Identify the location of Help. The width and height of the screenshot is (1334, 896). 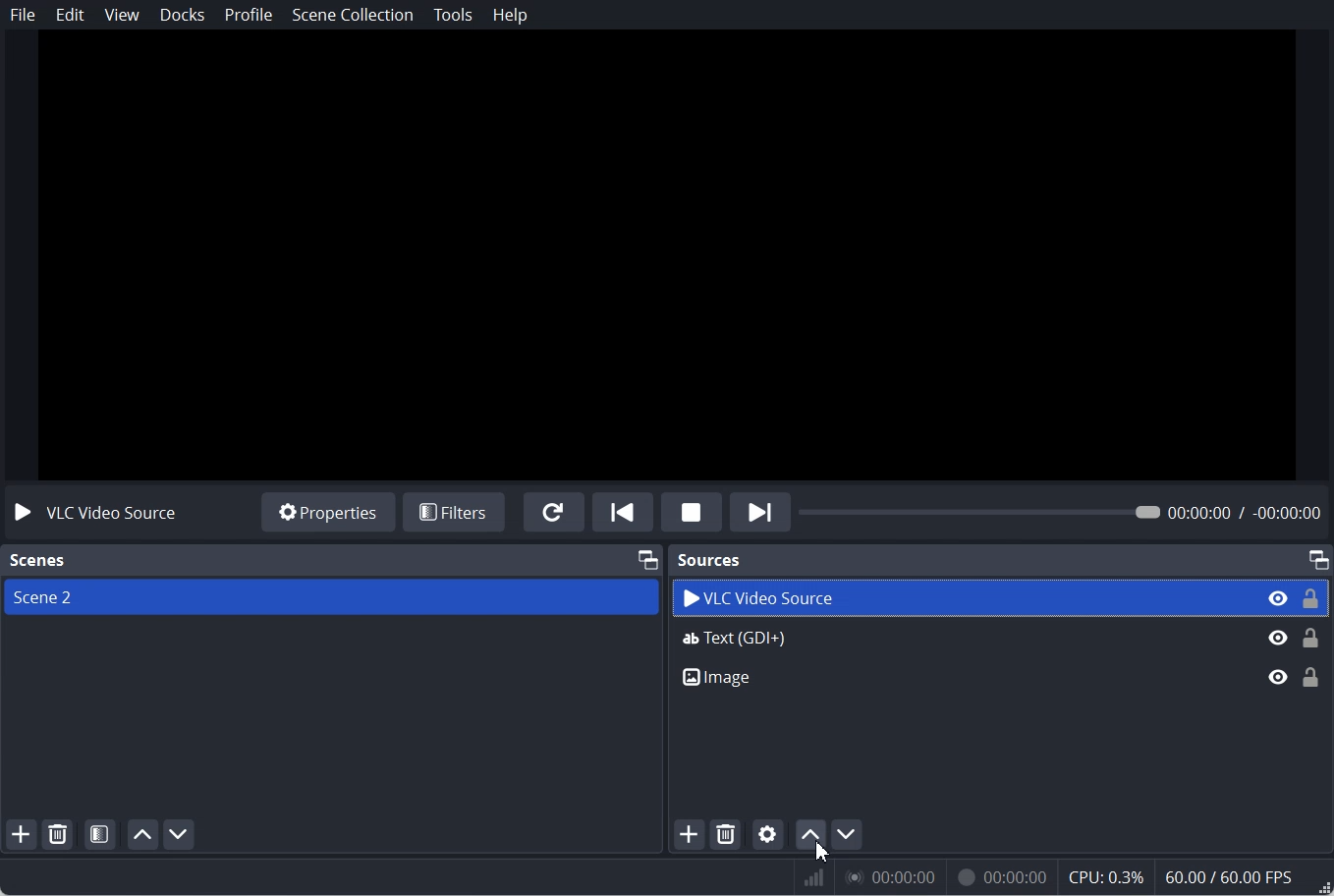
(511, 16).